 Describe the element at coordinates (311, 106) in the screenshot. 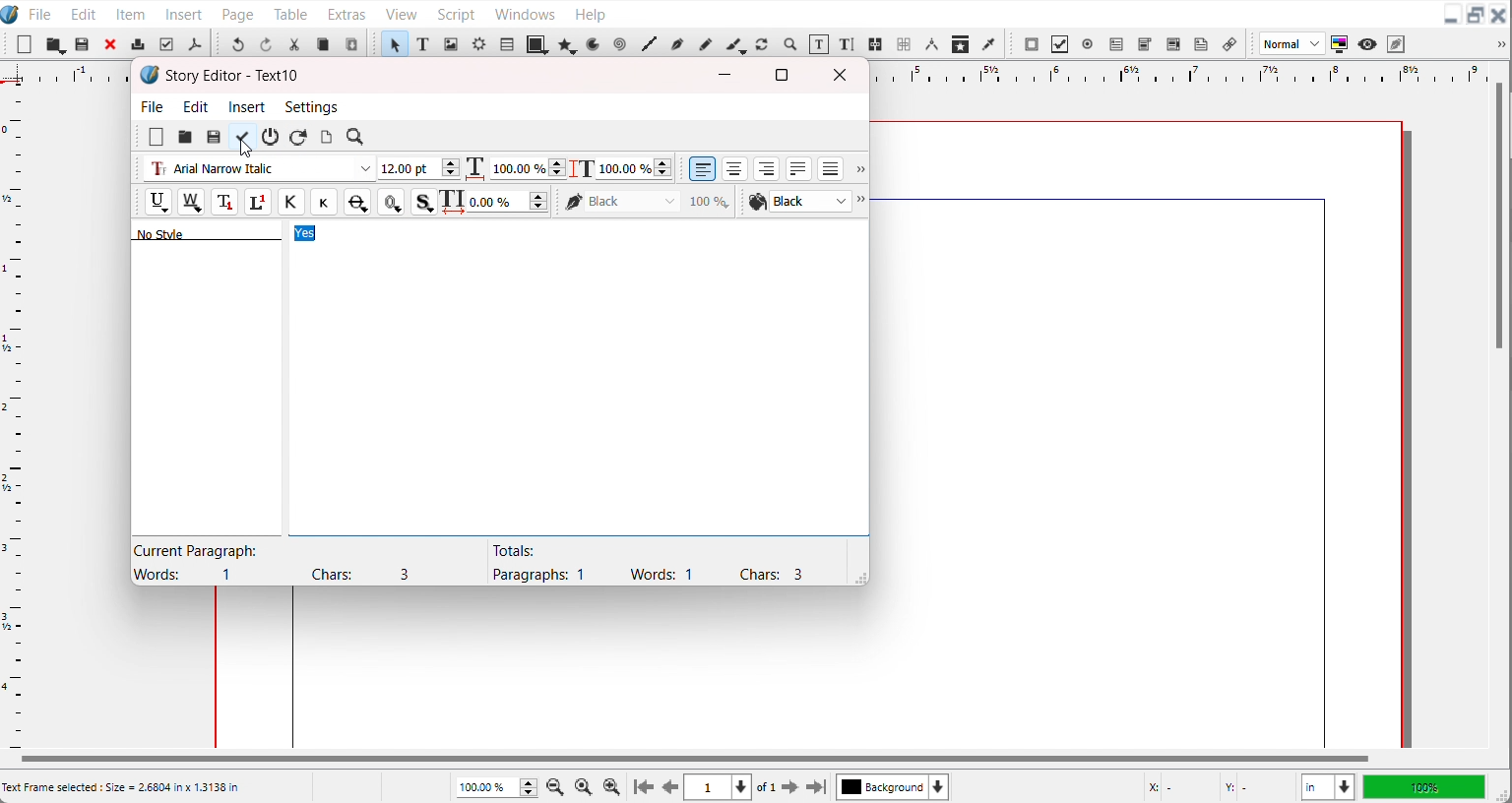

I see `Settings` at that location.